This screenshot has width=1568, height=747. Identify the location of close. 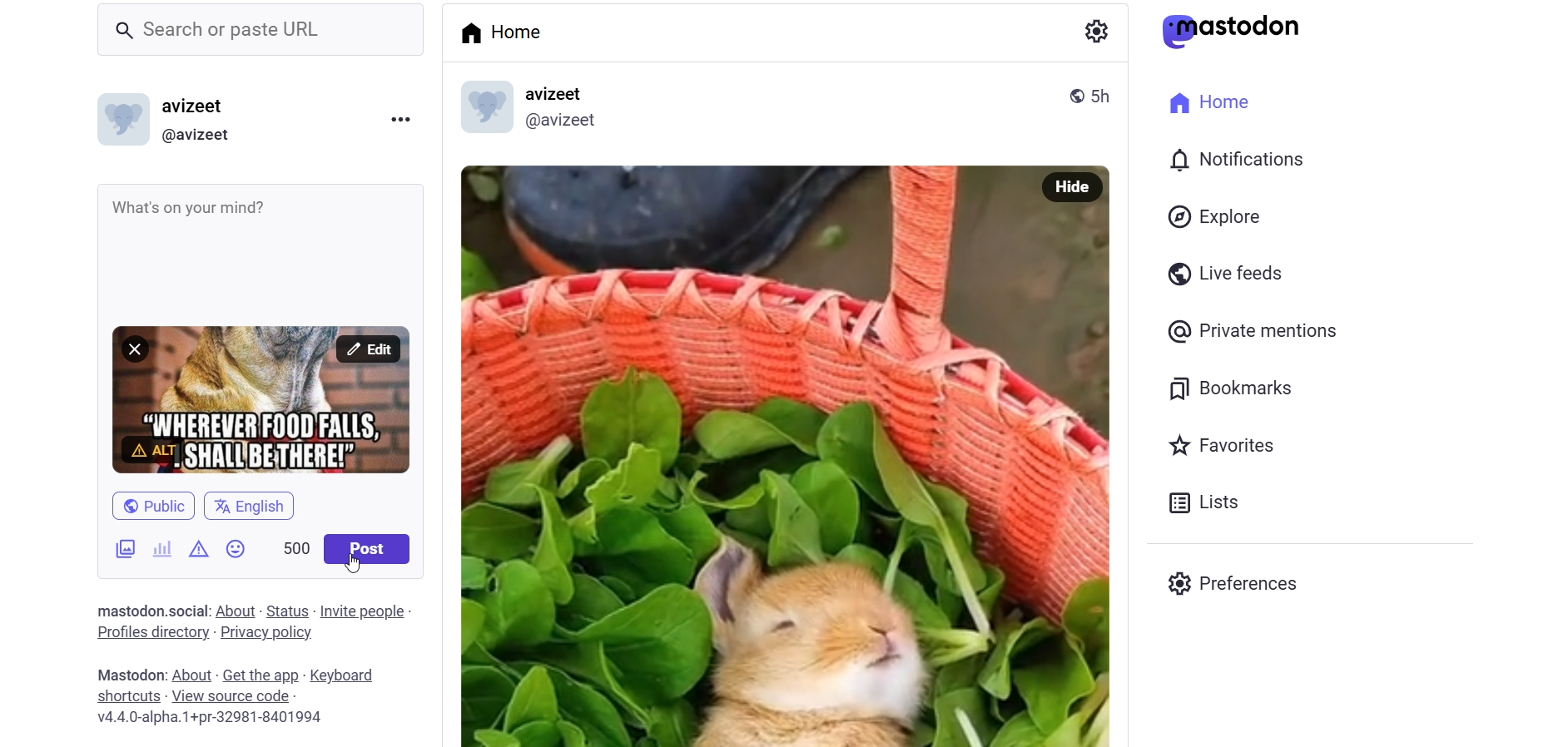
(133, 348).